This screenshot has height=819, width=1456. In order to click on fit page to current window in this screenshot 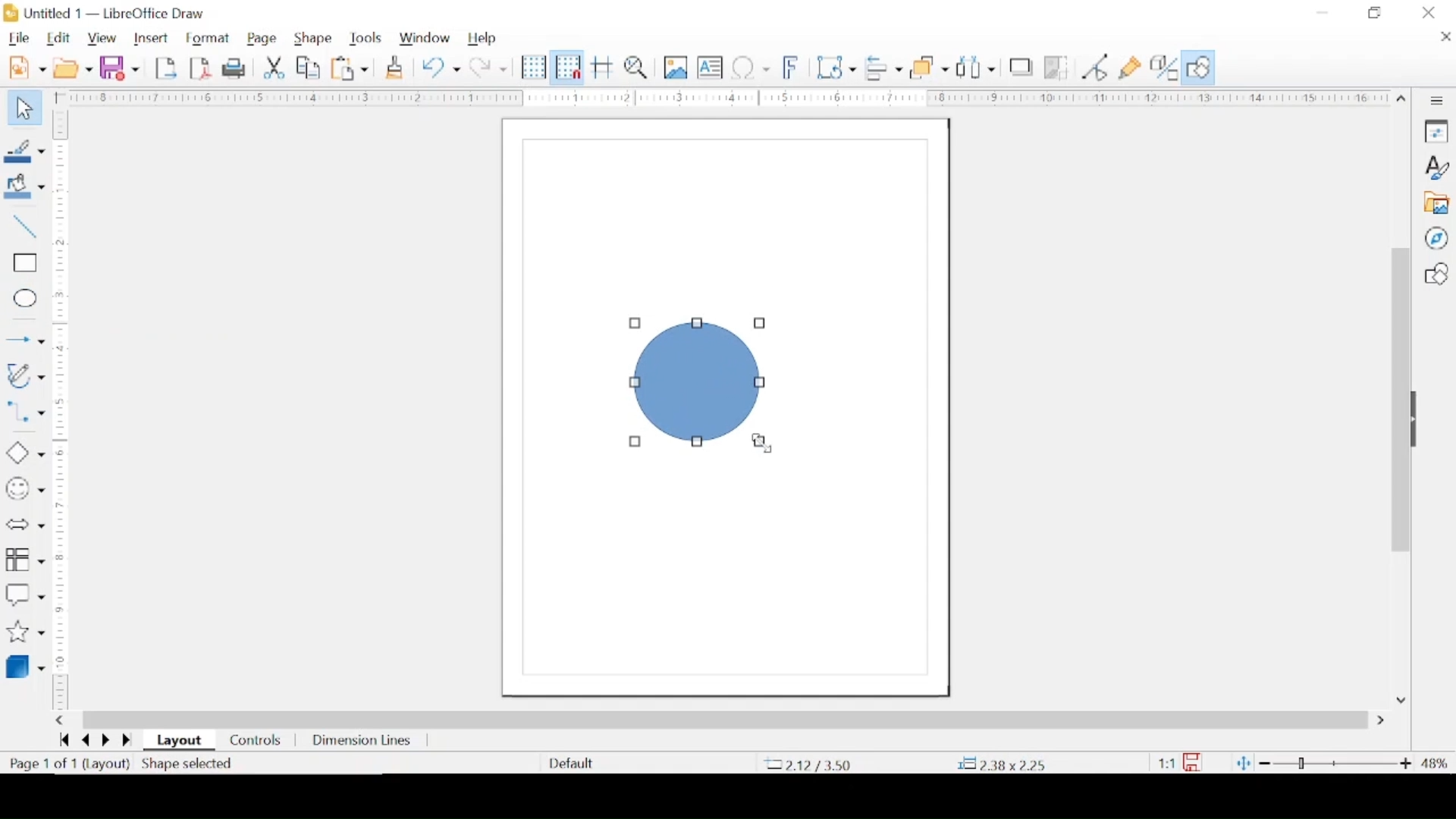, I will do `click(1243, 763)`.